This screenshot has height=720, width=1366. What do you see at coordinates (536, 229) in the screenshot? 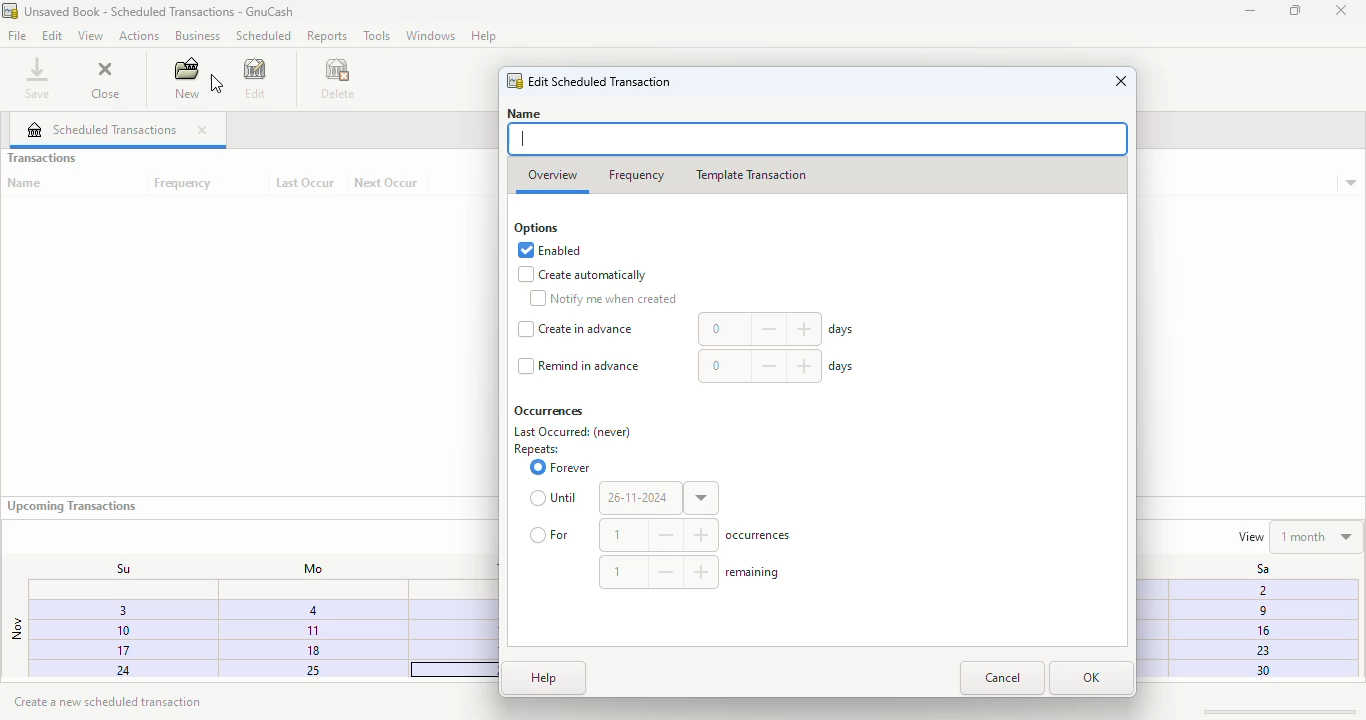
I see `options` at bounding box center [536, 229].